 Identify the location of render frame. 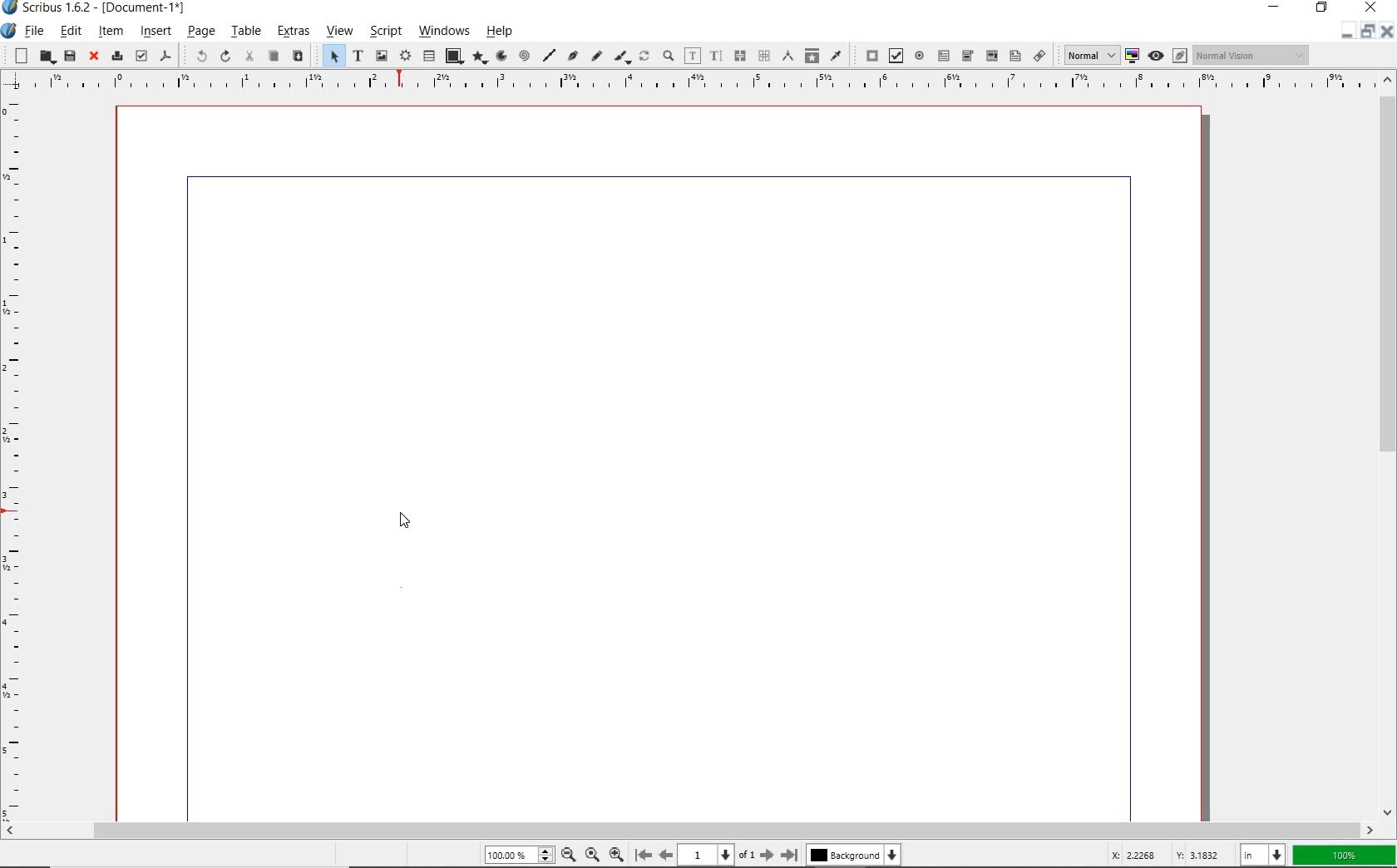
(405, 57).